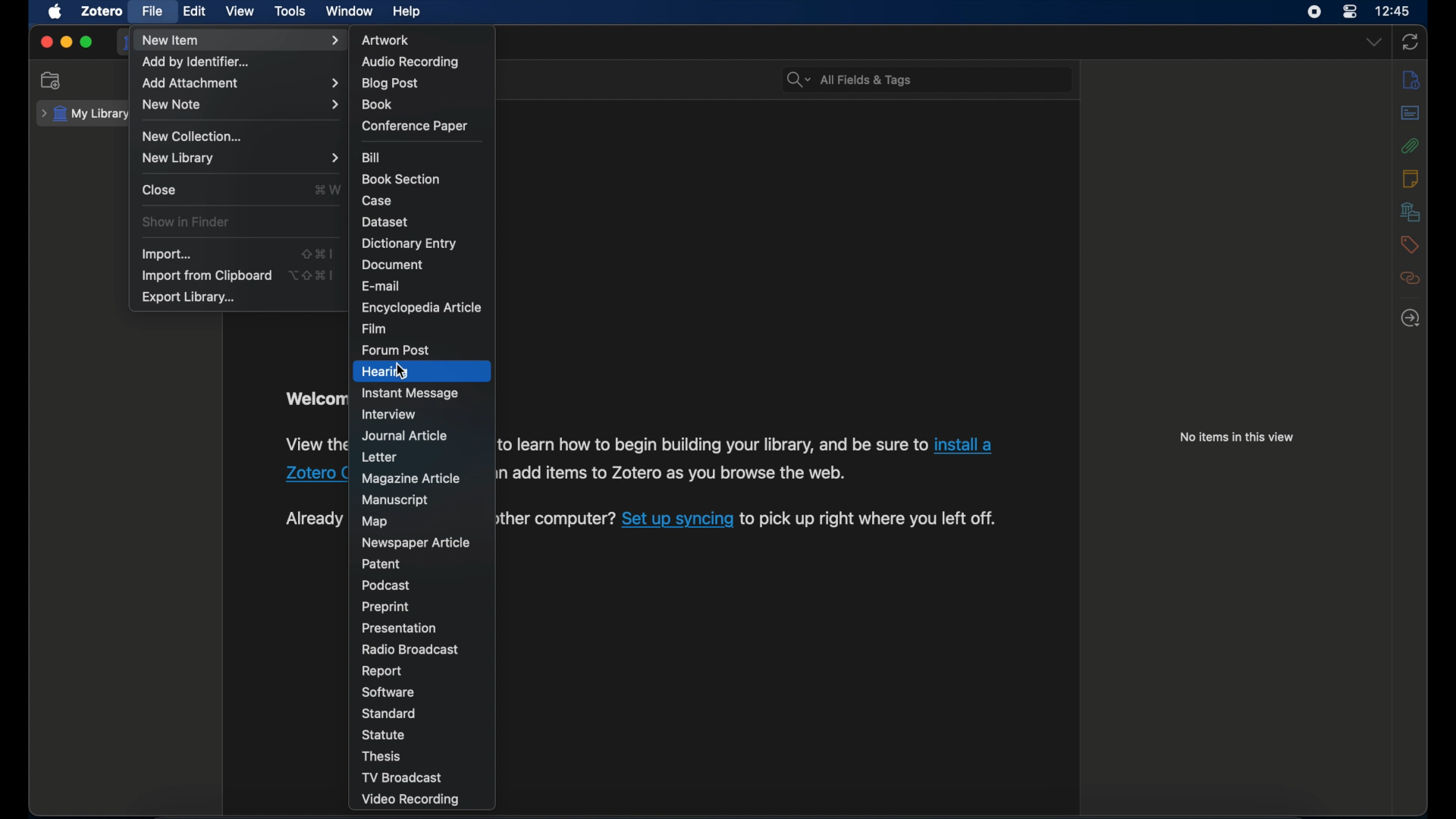  I want to click on libraries, so click(1410, 212).